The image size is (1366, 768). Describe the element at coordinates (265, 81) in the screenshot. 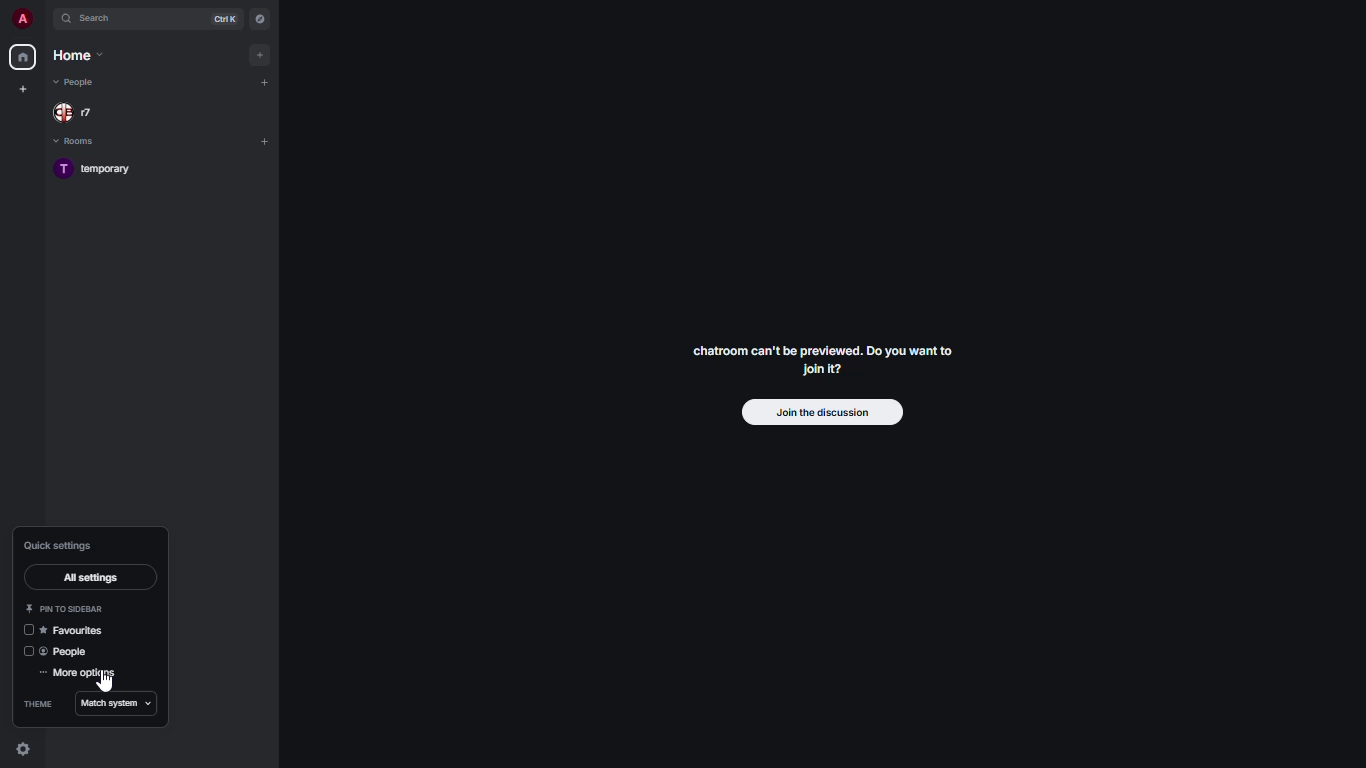

I see `add` at that location.